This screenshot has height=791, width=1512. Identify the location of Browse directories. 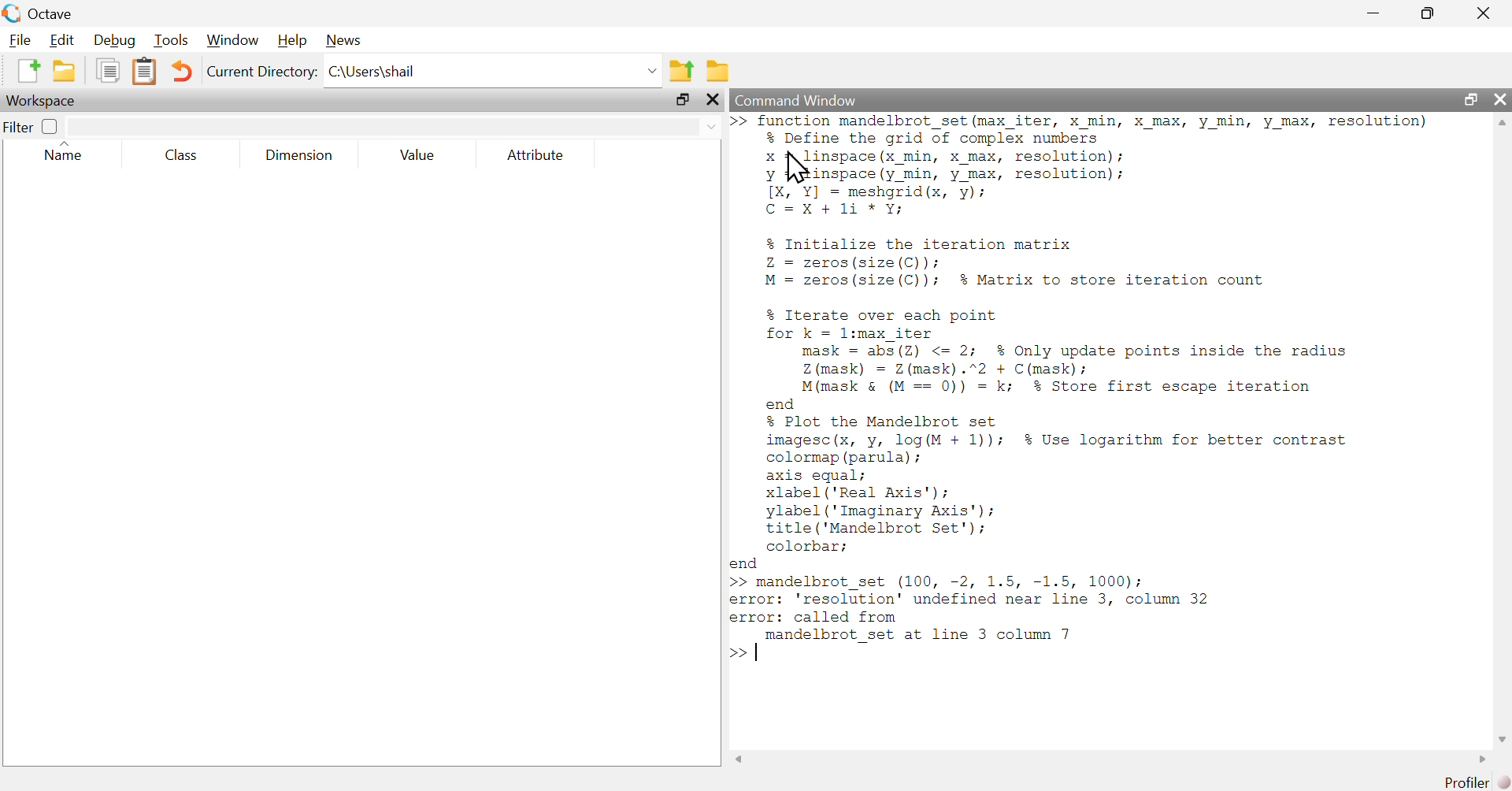
(717, 70).